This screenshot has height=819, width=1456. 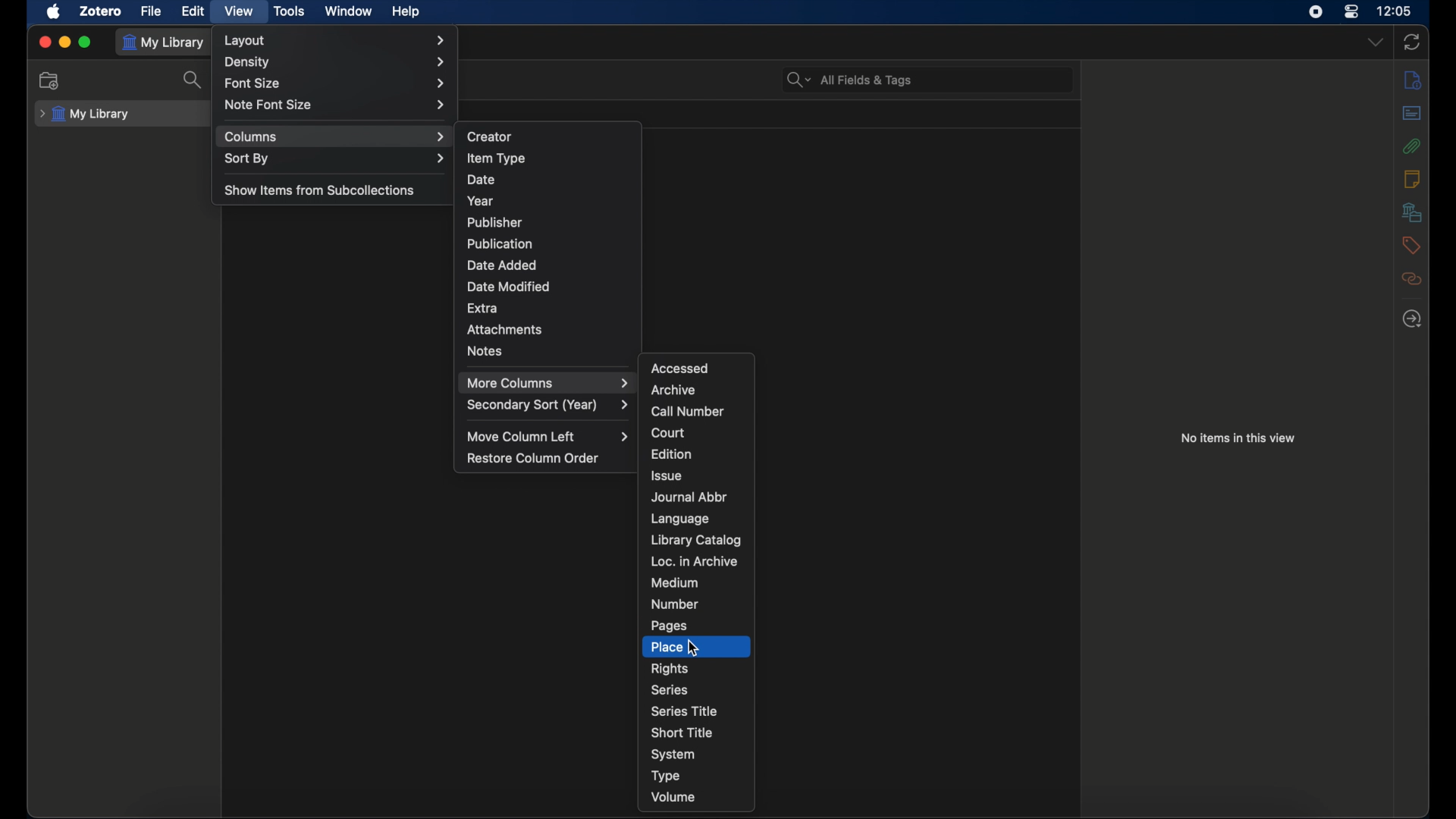 I want to click on sync, so click(x=1412, y=43).